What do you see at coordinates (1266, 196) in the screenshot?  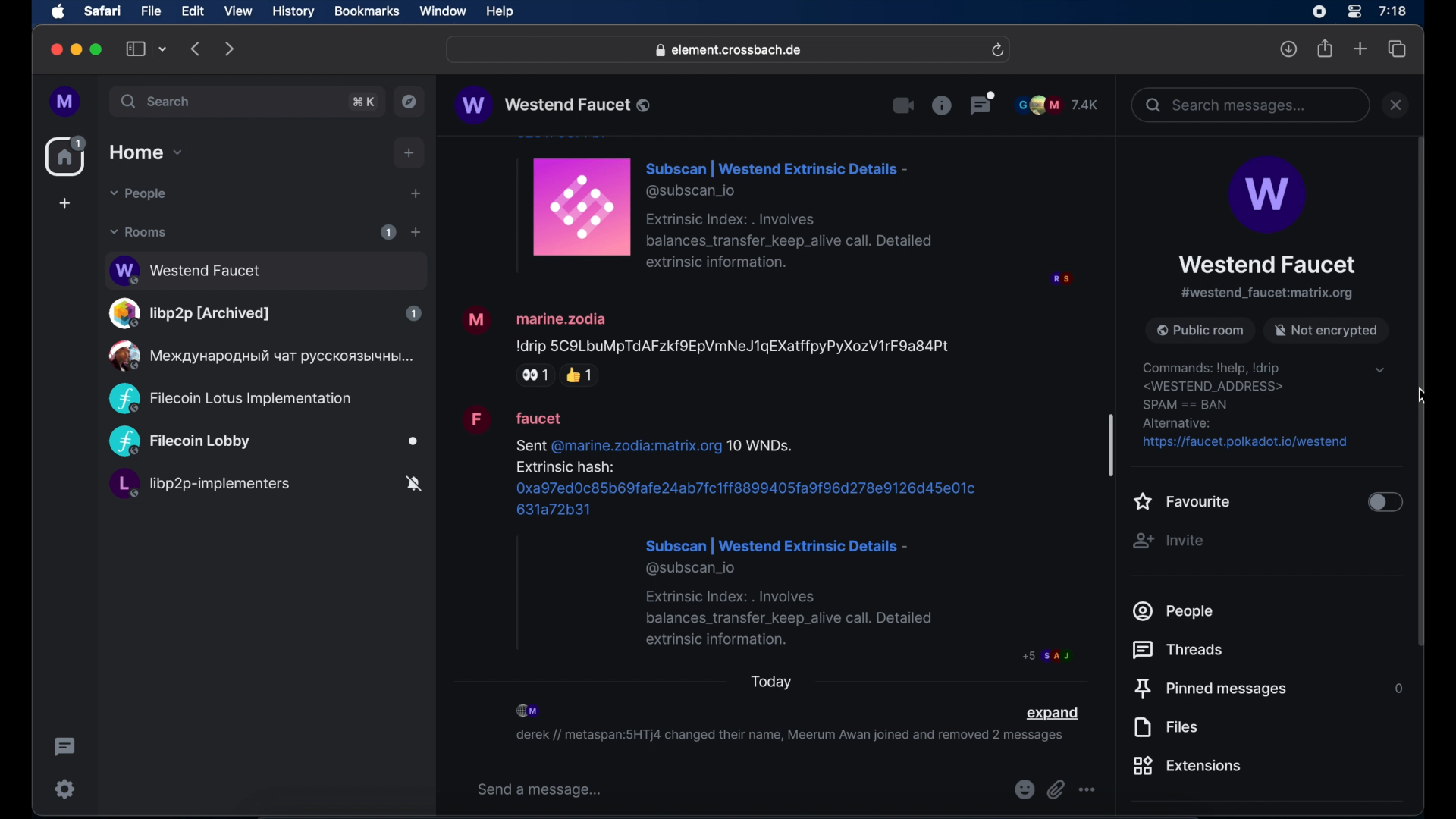 I see `profile picture` at bounding box center [1266, 196].